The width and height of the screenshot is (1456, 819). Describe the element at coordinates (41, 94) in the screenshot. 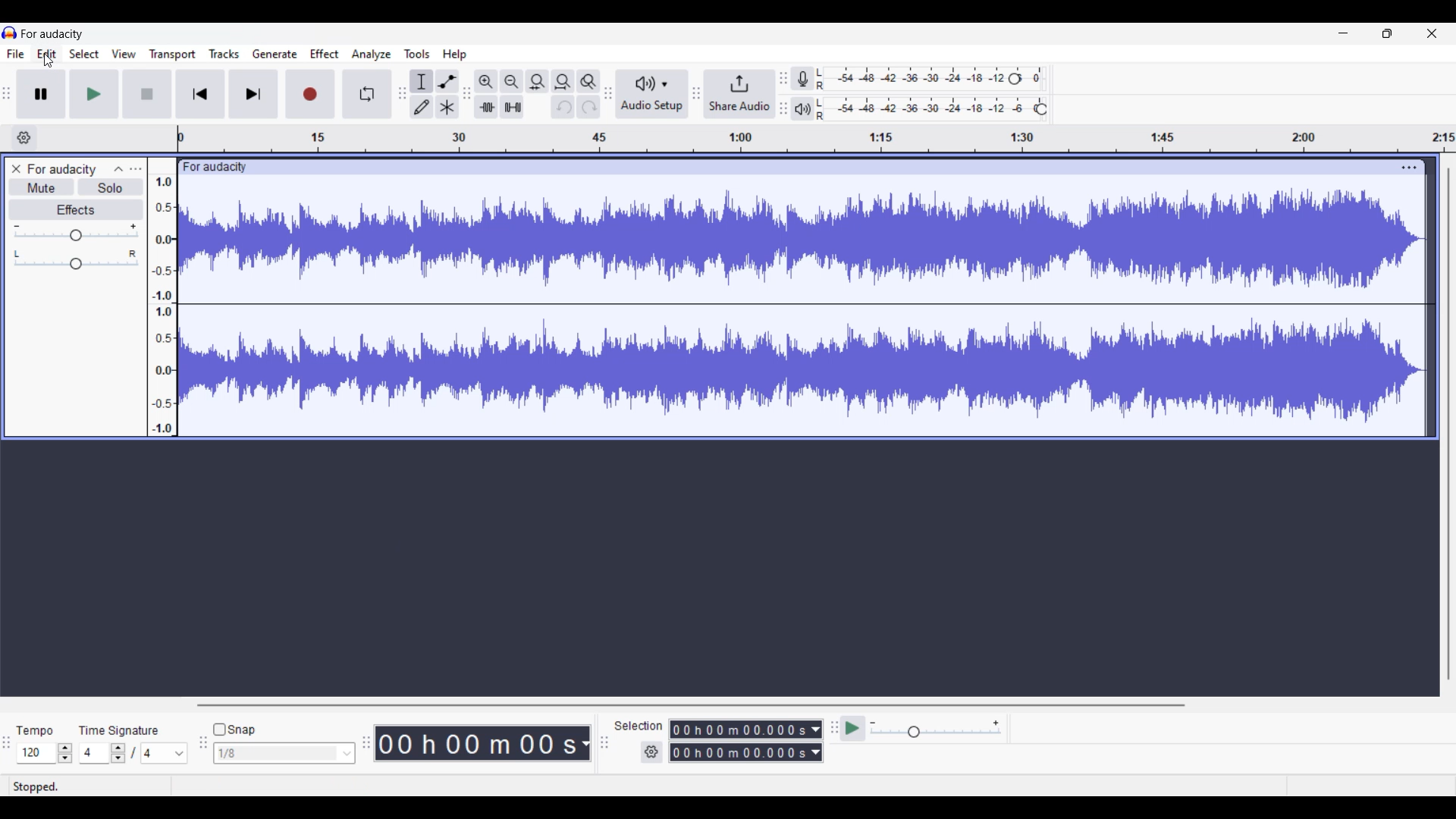

I see `Pause` at that location.